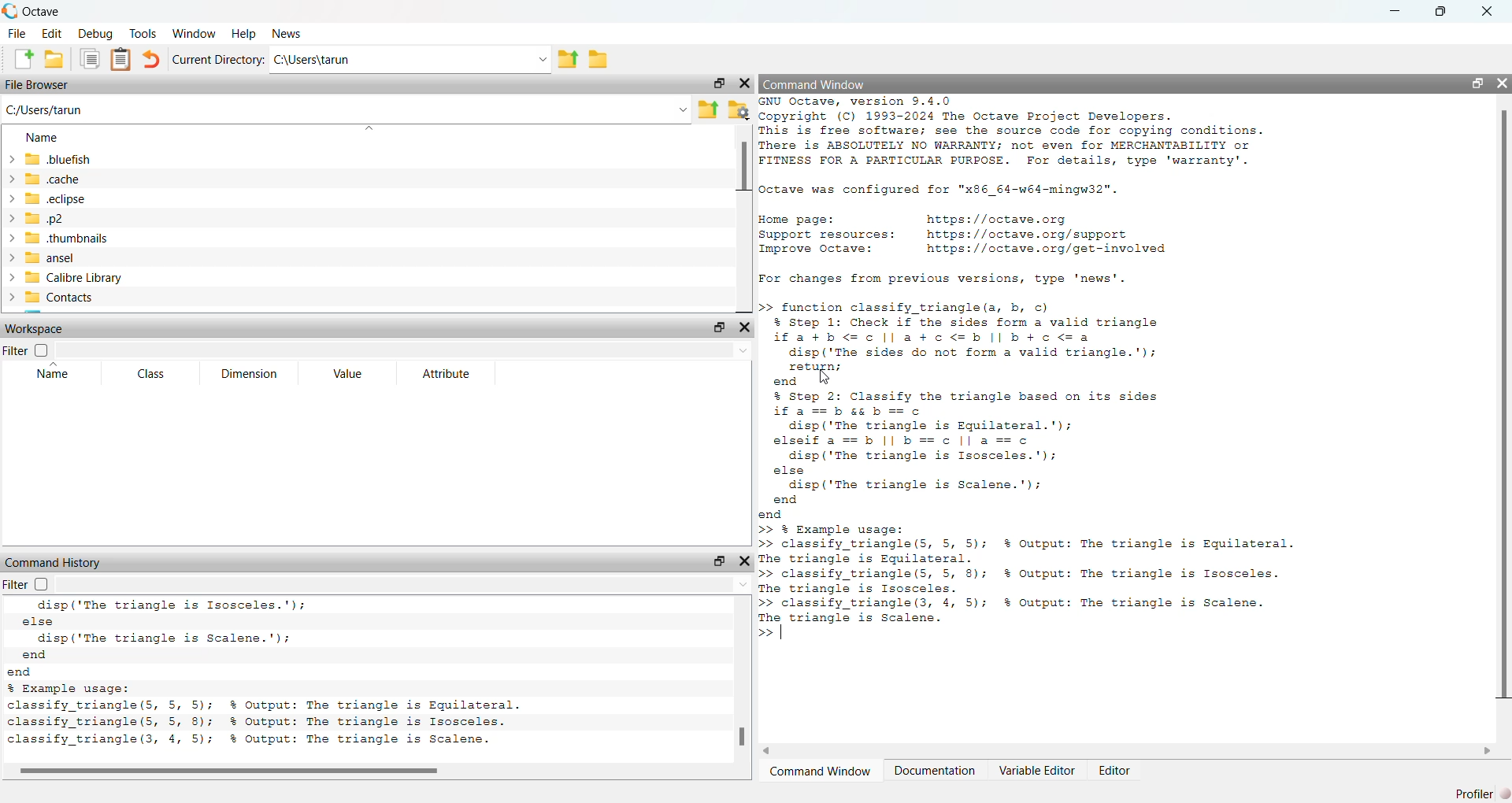 This screenshot has height=803, width=1512. What do you see at coordinates (822, 770) in the screenshot?
I see `command window` at bounding box center [822, 770].